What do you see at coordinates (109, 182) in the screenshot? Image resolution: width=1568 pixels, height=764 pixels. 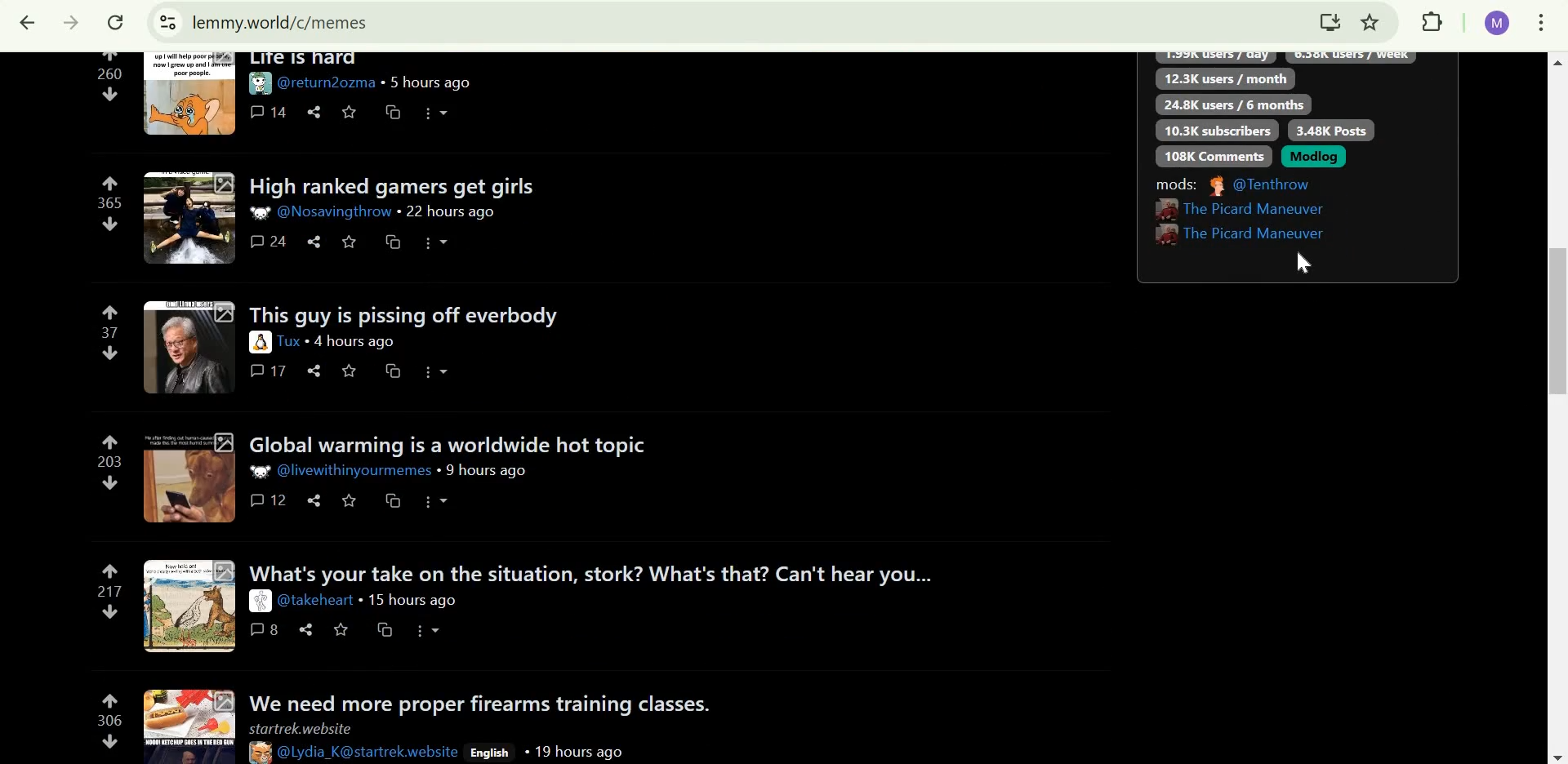 I see `upvote` at bounding box center [109, 182].